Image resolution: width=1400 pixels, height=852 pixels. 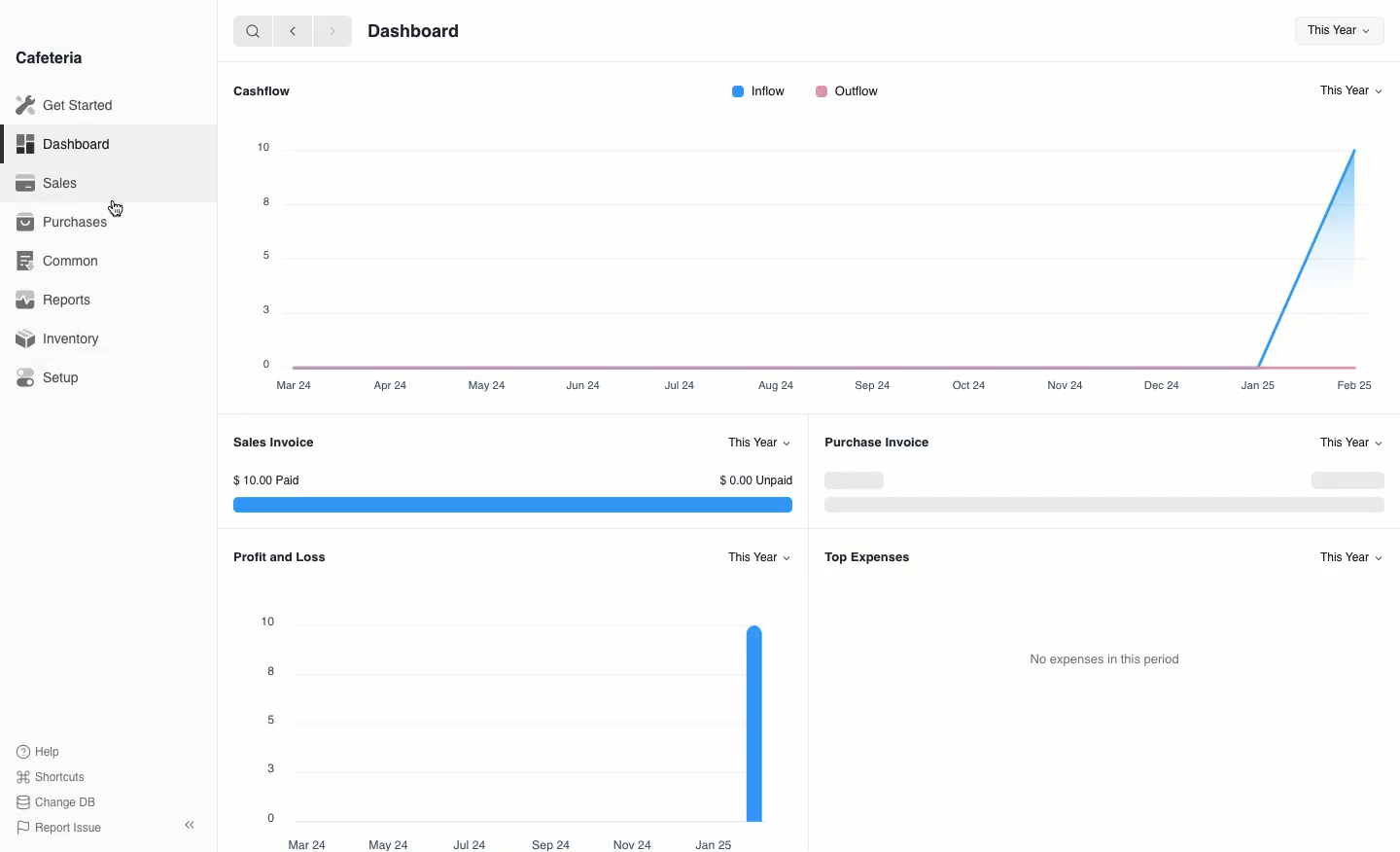 I want to click on Change DB, so click(x=59, y=801).